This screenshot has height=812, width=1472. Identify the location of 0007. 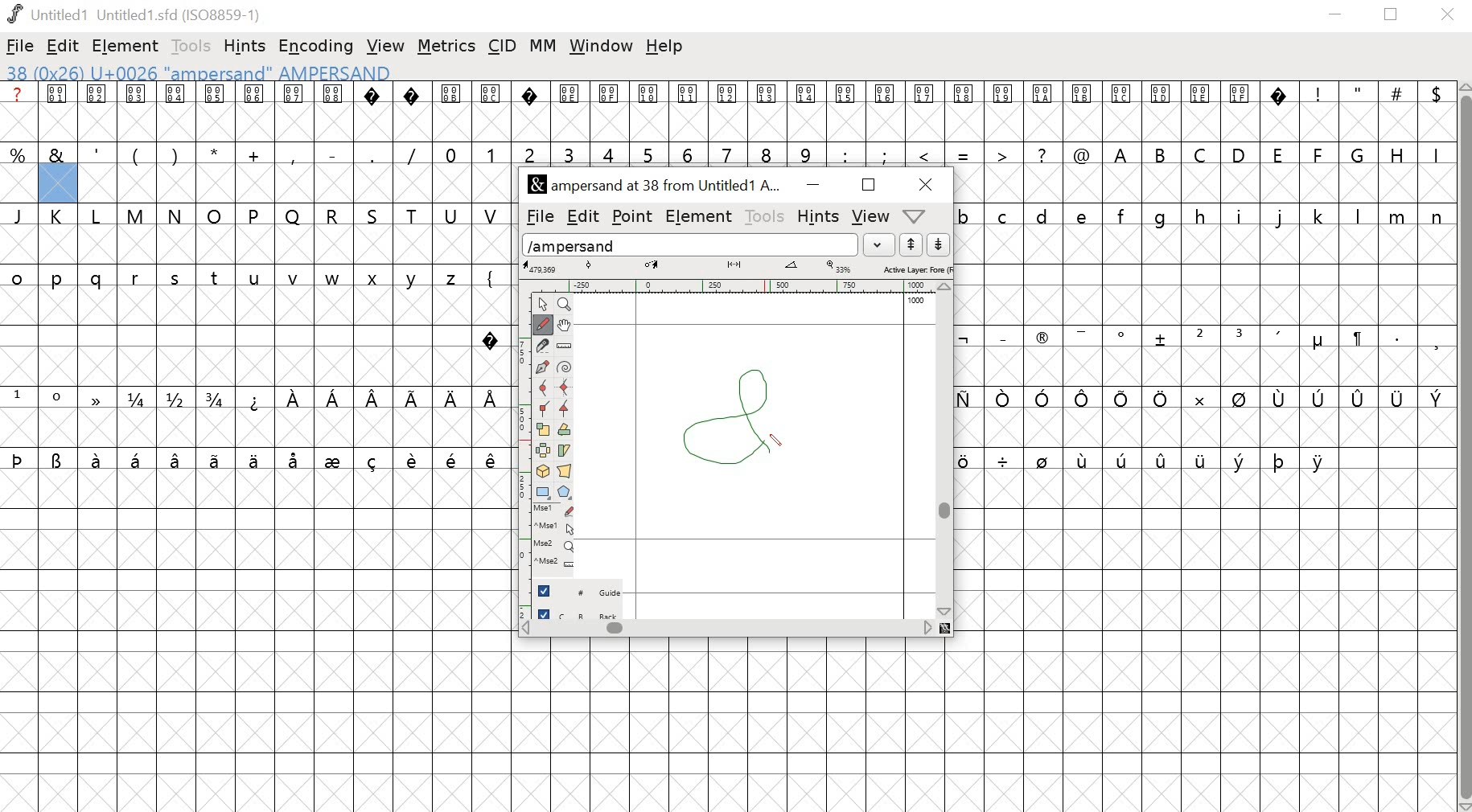
(294, 111).